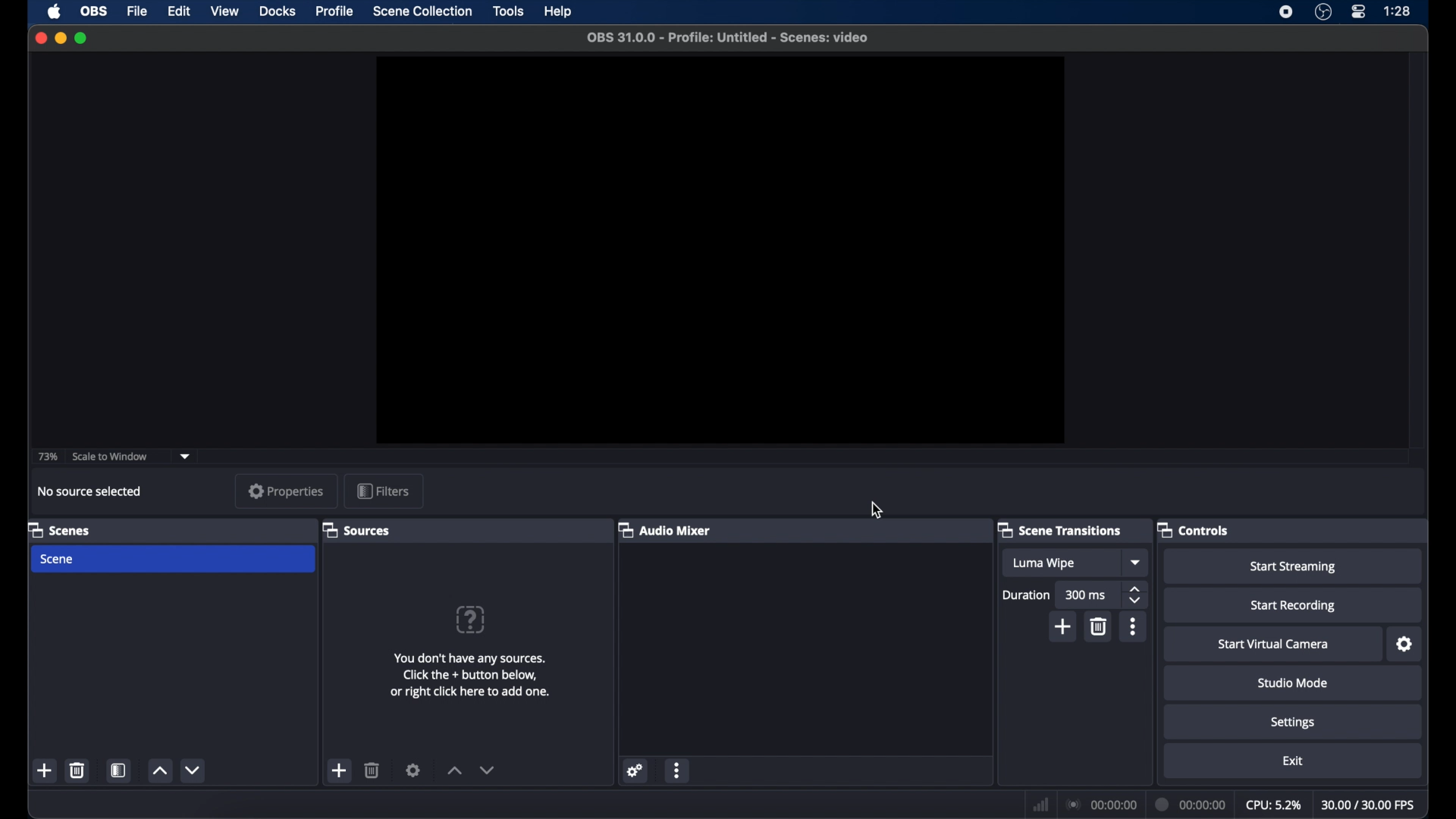 The image size is (1456, 819). Describe the element at coordinates (1100, 804) in the screenshot. I see `connection` at that location.